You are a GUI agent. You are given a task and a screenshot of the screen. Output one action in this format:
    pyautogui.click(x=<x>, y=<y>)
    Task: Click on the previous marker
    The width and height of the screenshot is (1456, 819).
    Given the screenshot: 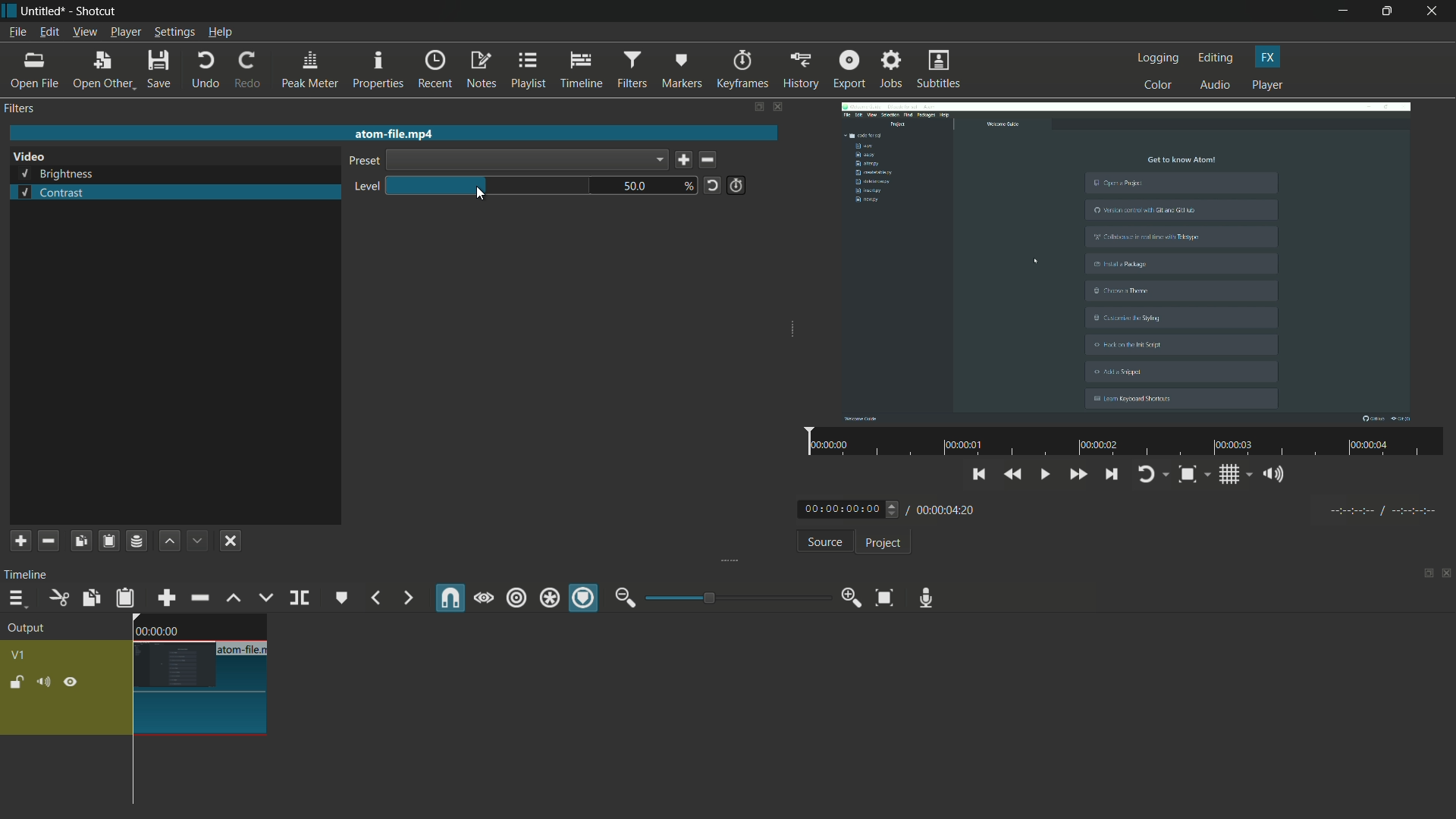 What is the action you would take?
    pyautogui.click(x=375, y=598)
    